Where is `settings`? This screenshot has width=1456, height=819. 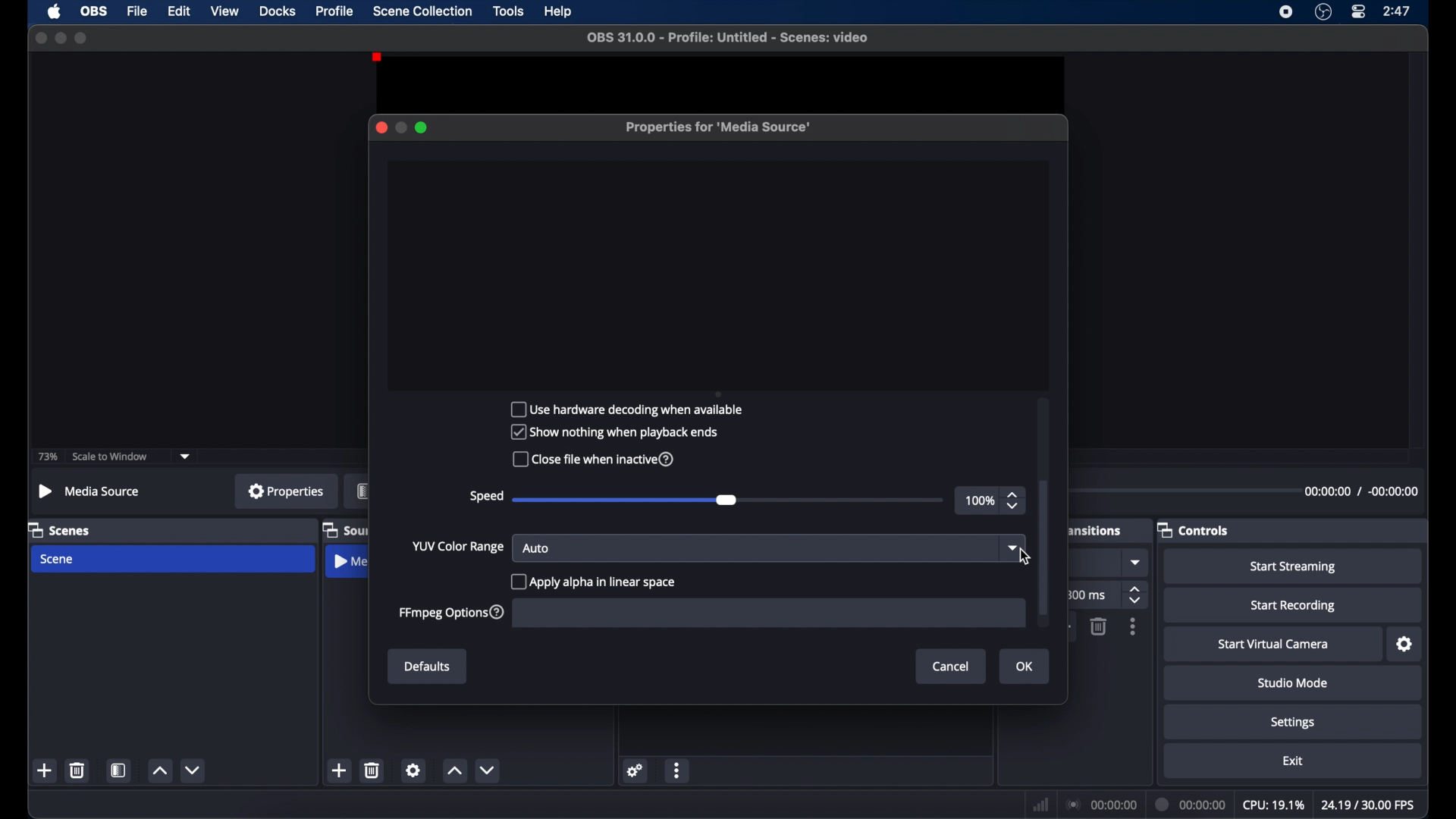 settings is located at coordinates (636, 770).